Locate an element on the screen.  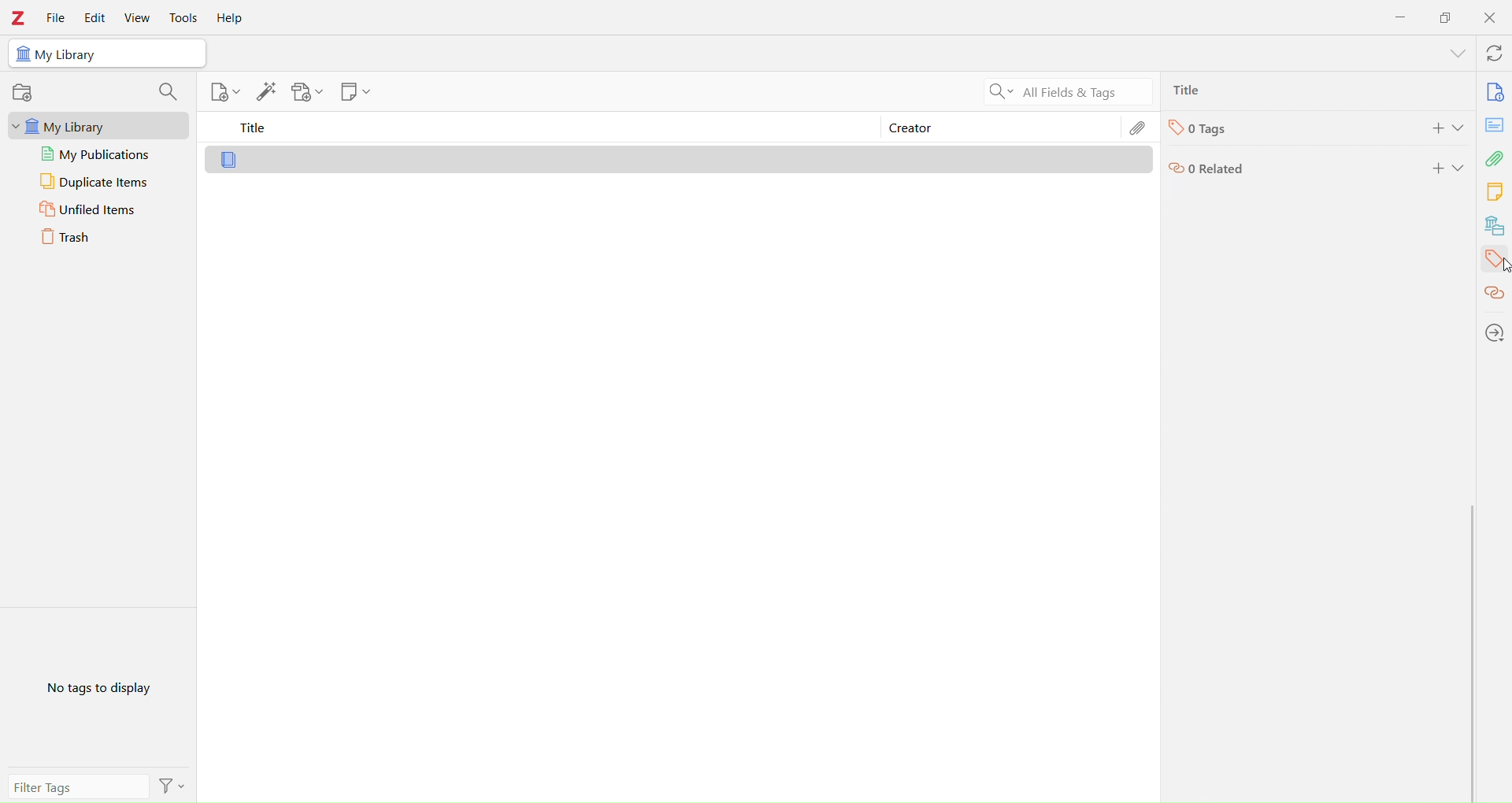
record is located at coordinates (22, 94).